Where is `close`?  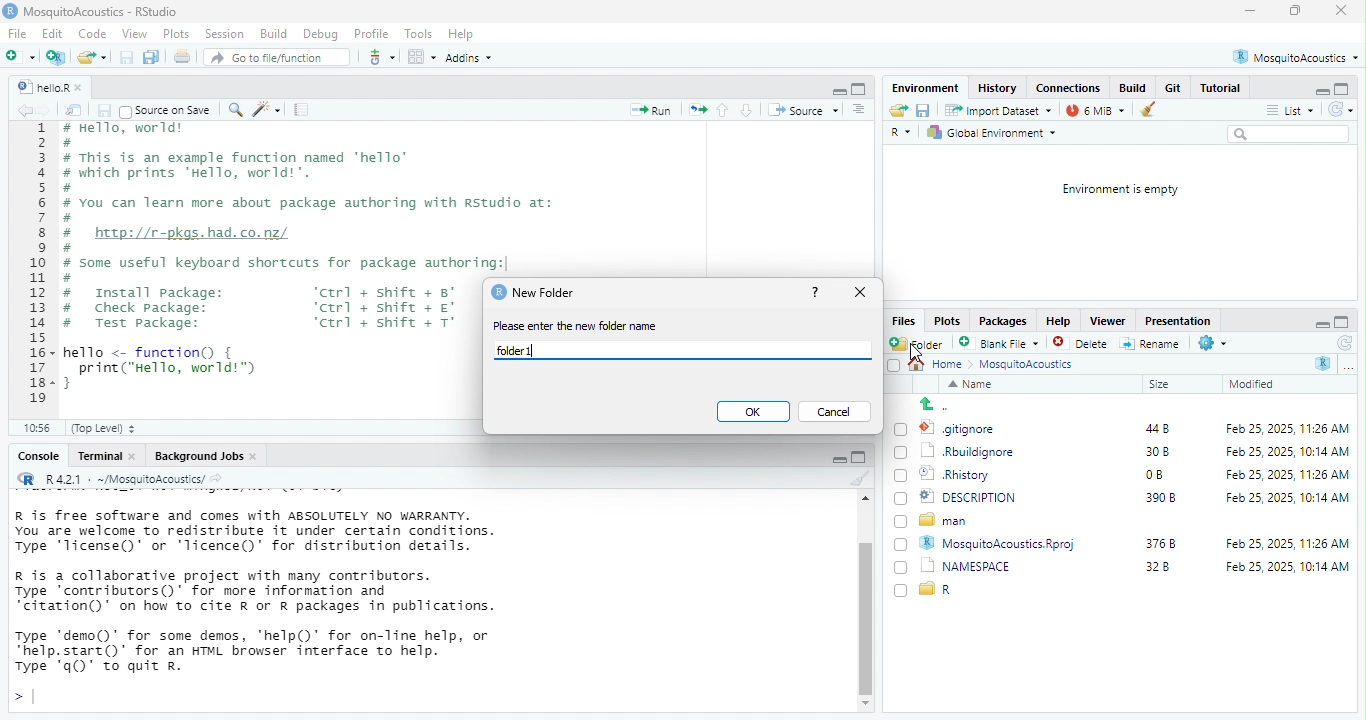
close is located at coordinates (1338, 11).